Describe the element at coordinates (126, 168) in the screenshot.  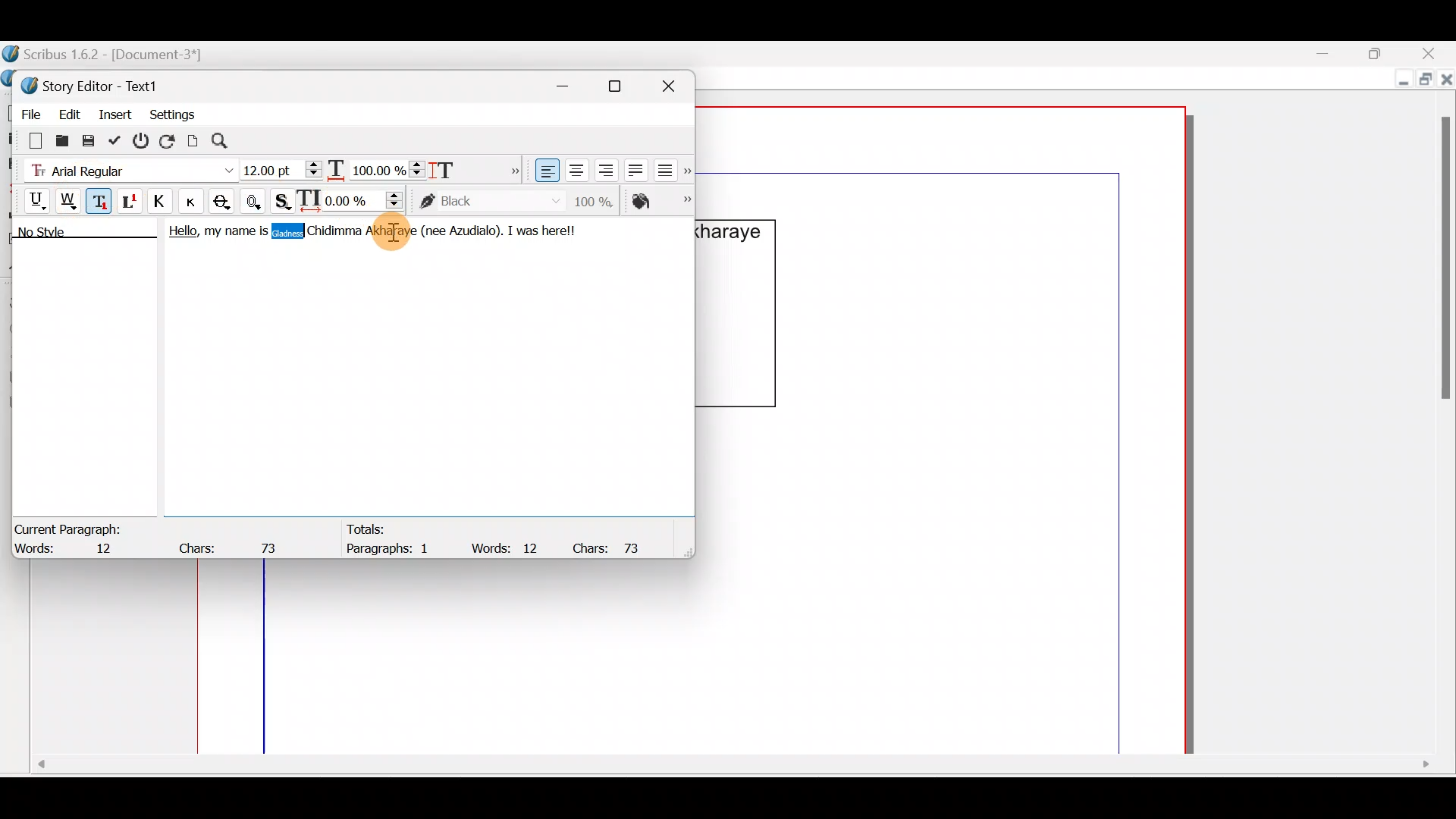
I see `Font type - Arial Regular` at that location.